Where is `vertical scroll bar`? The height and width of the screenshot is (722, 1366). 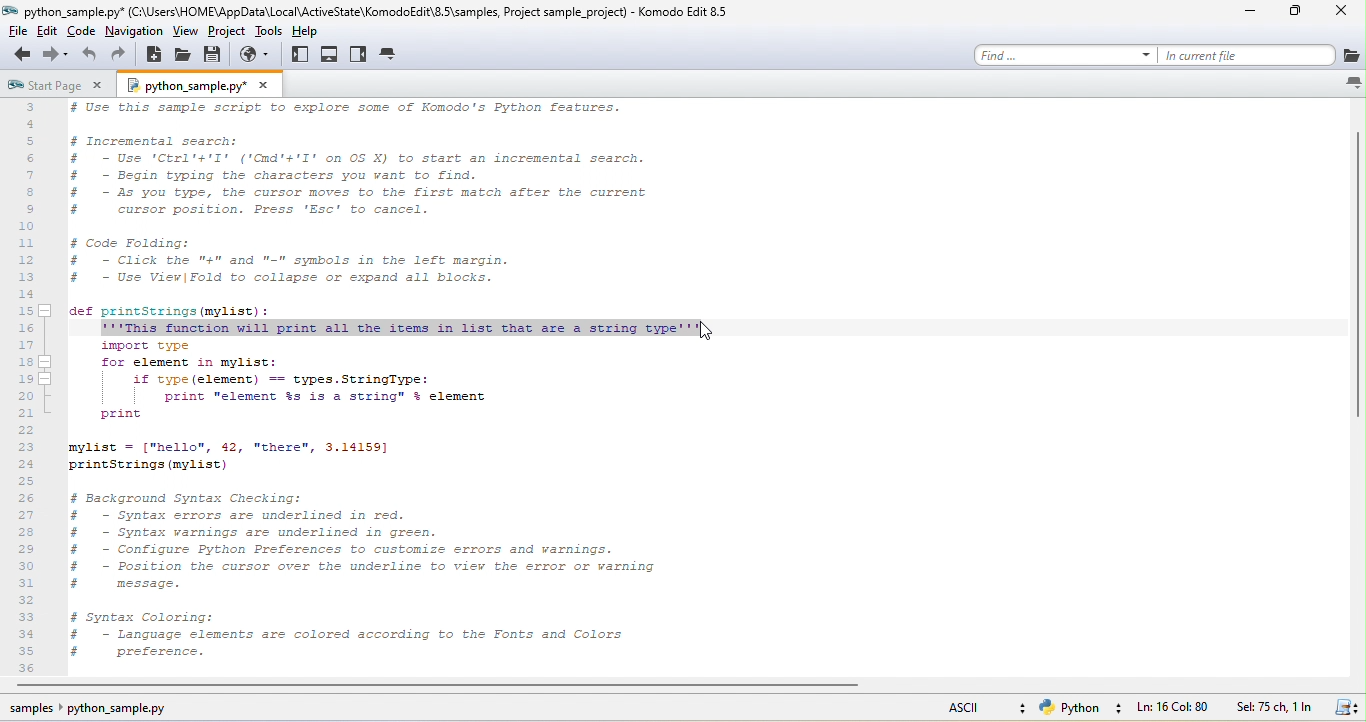
vertical scroll bar is located at coordinates (1353, 269).